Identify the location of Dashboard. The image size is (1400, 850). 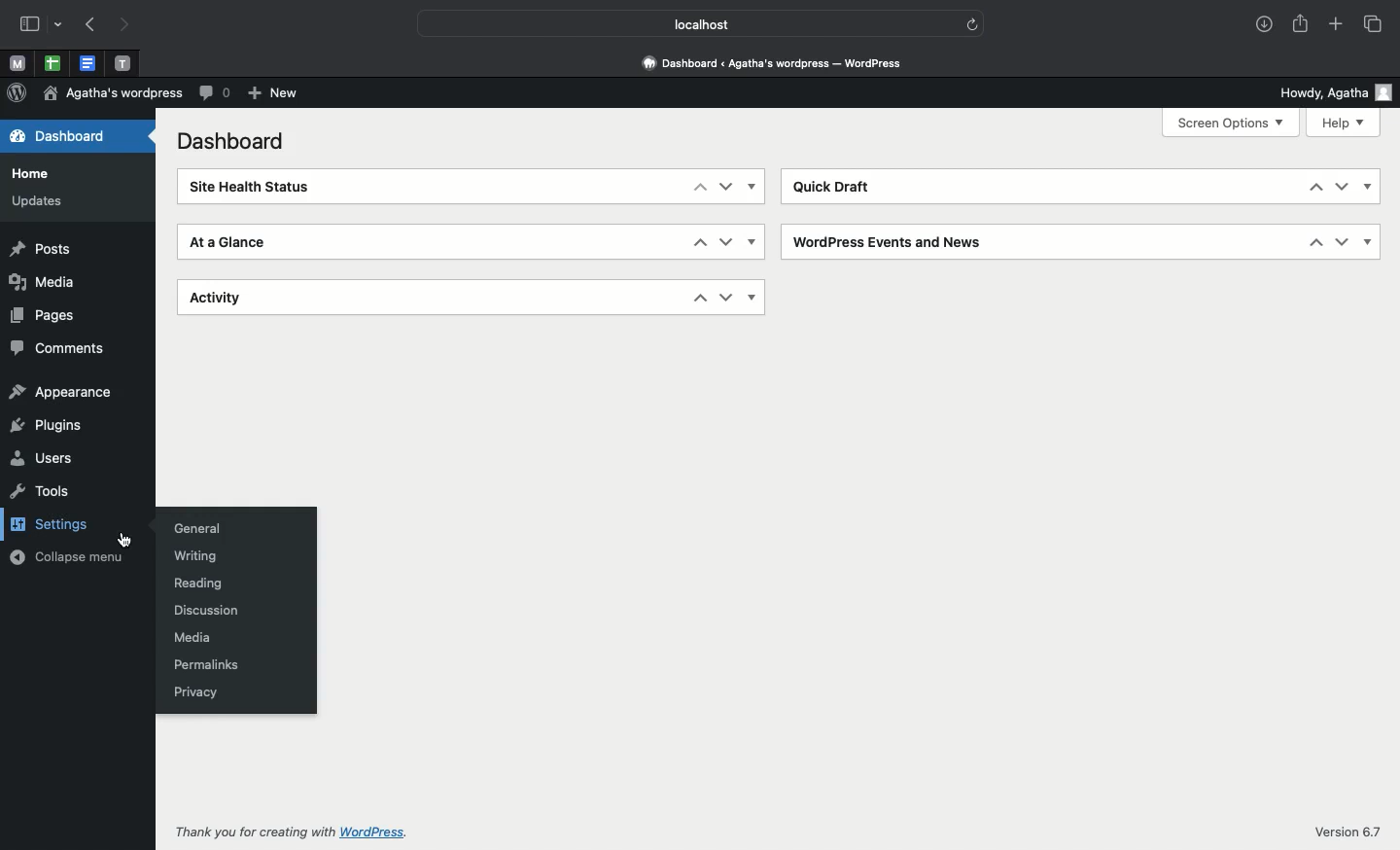
(772, 63).